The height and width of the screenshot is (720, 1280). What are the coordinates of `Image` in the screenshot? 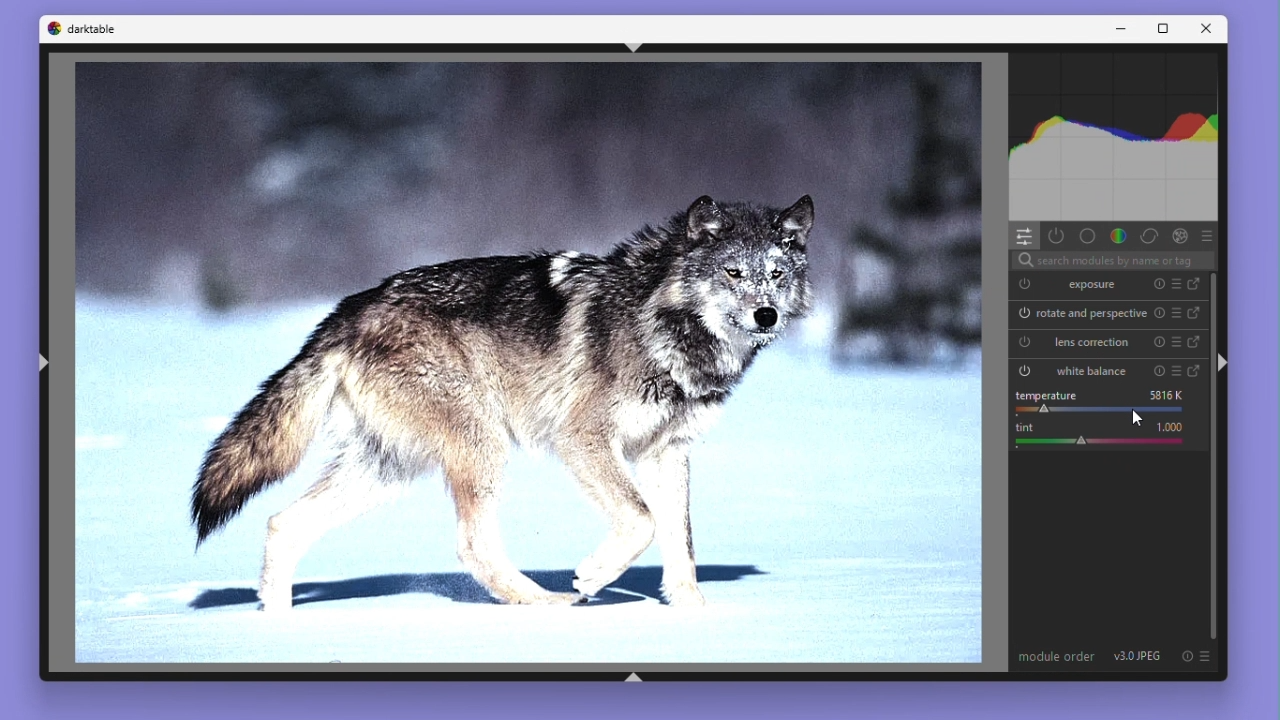 It's located at (531, 363).